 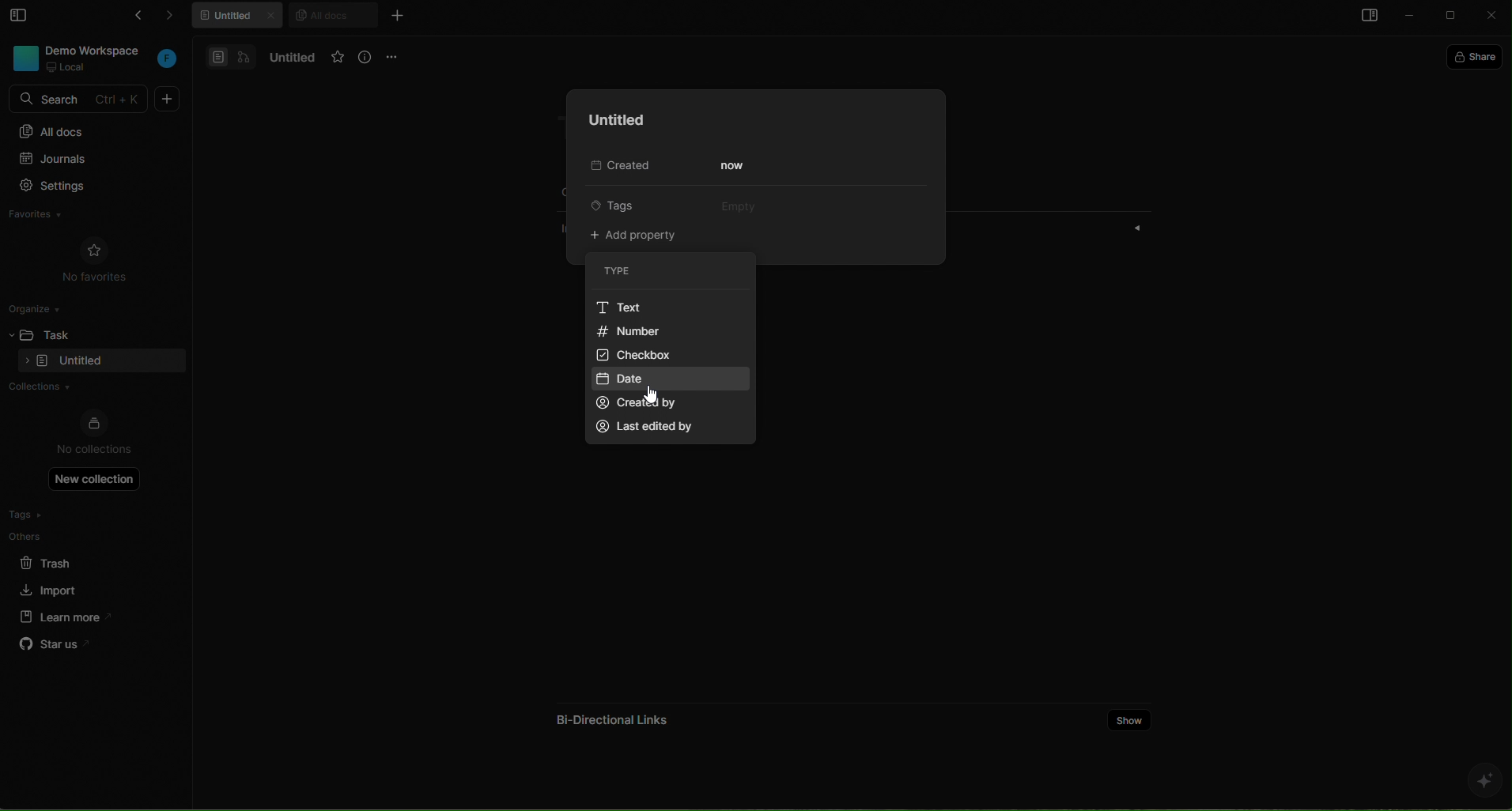 I want to click on DEMO WORKSPACE, so click(x=97, y=50).